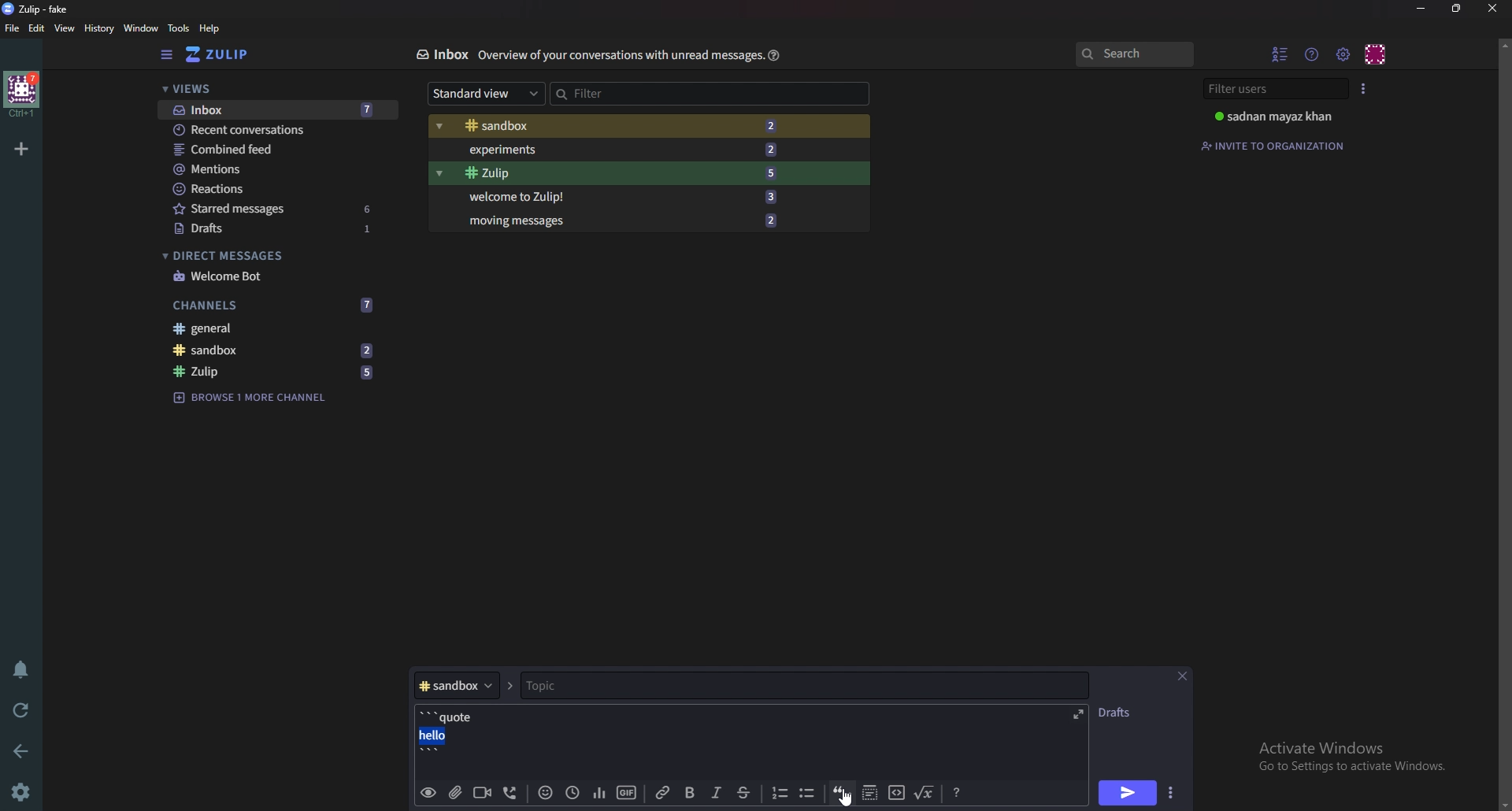 Image resolution: width=1512 pixels, height=811 pixels. What do you see at coordinates (553, 127) in the screenshot?
I see `# Sandbox` at bounding box center [553, 127].